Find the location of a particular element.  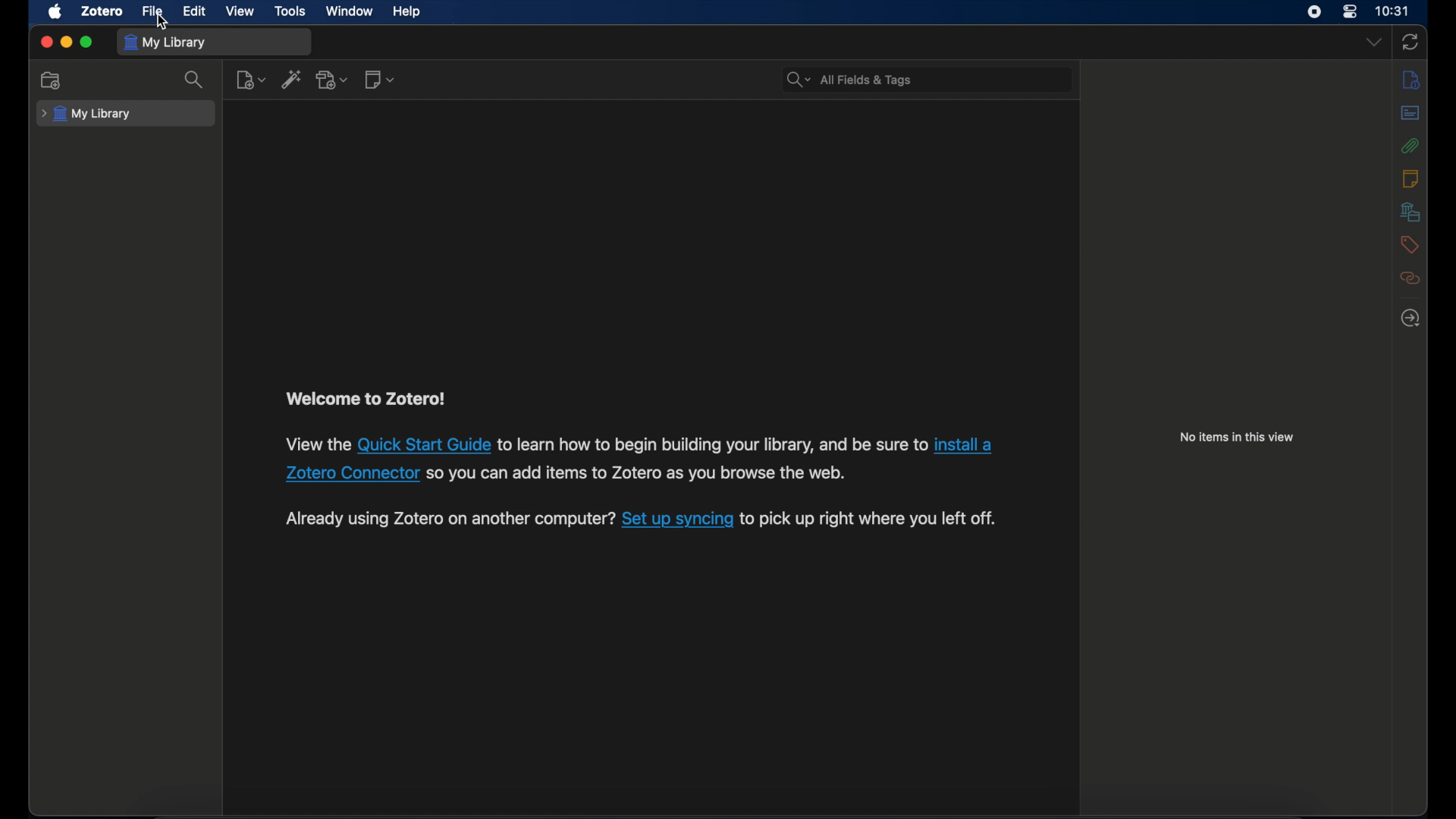

control center is located at coordinates (1351, 11).